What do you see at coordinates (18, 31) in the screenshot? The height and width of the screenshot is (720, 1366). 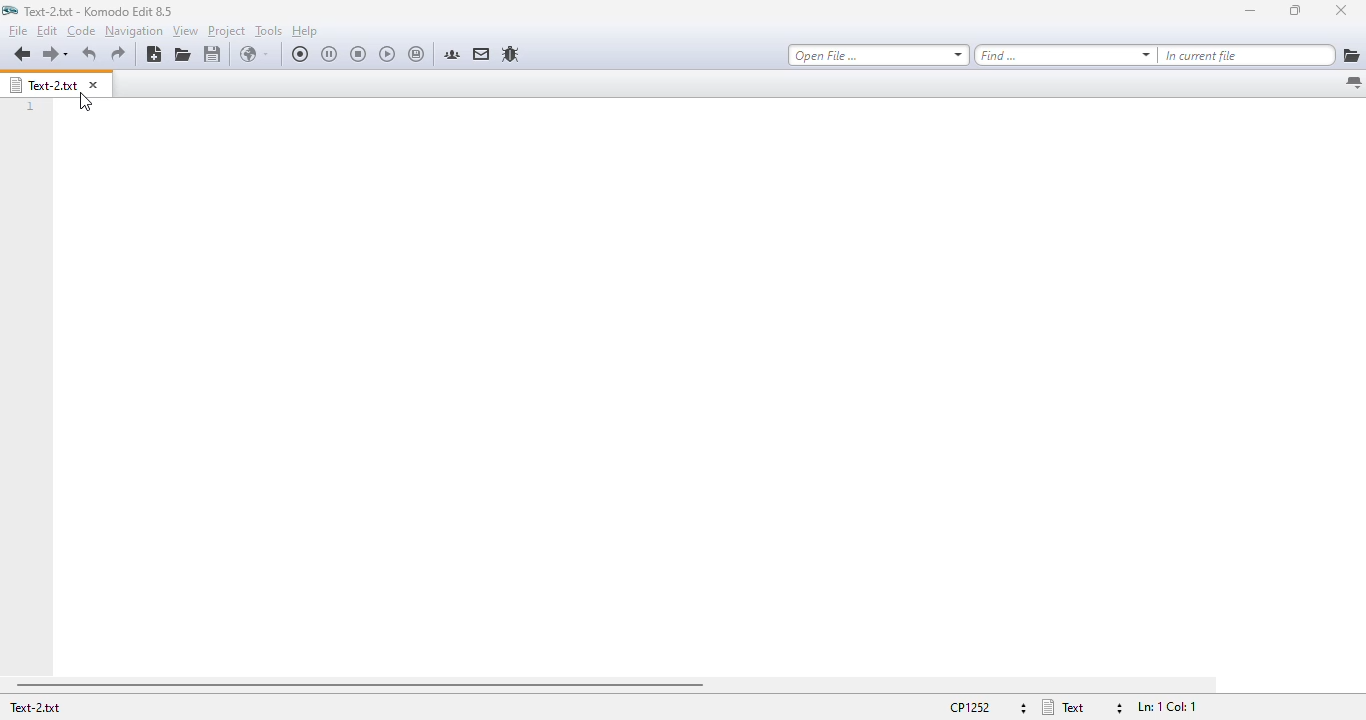 I see `file` at bounding box center [18, 31].